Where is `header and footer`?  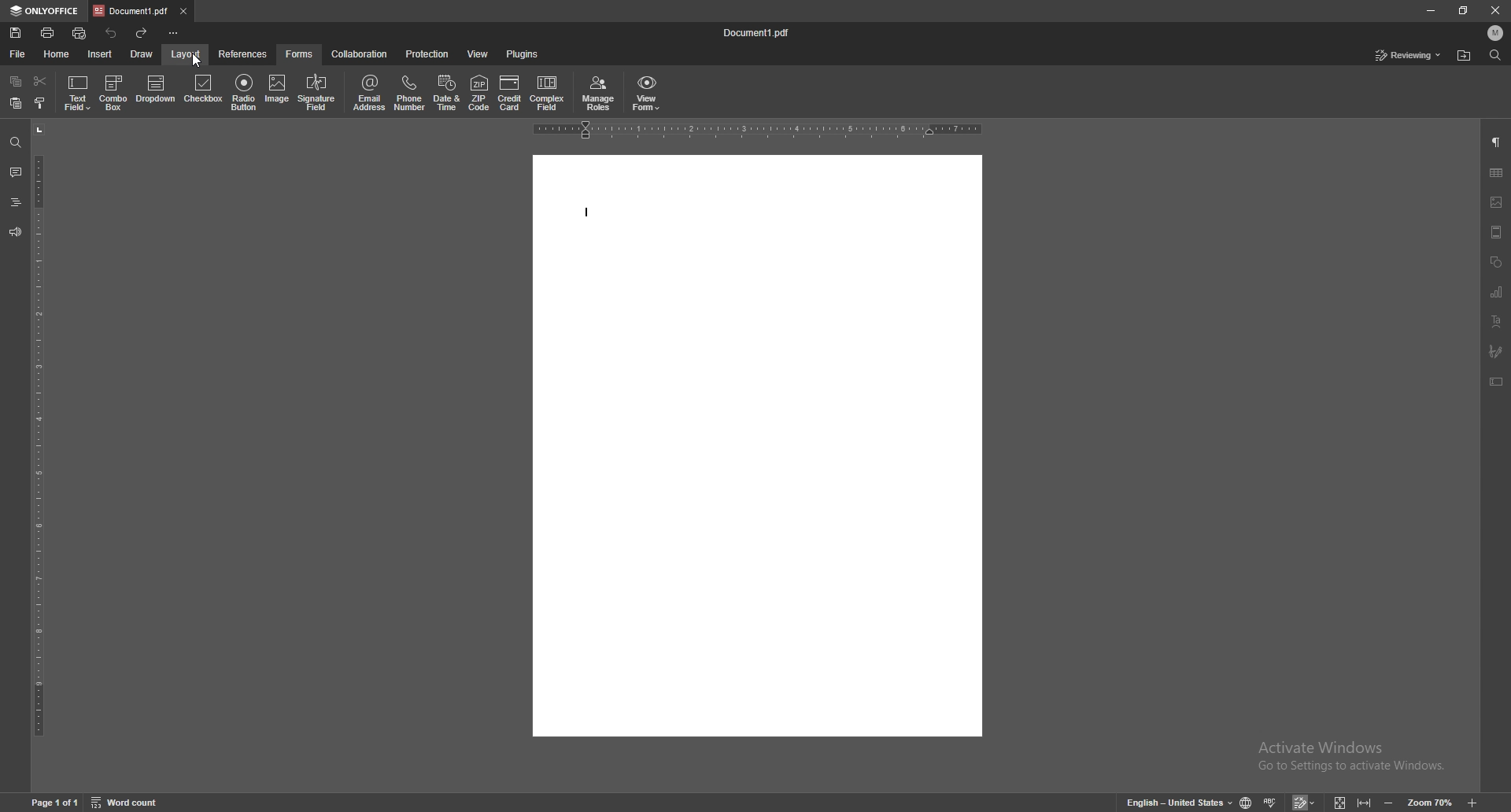 header and footer is located at coordinates (1496, 232).